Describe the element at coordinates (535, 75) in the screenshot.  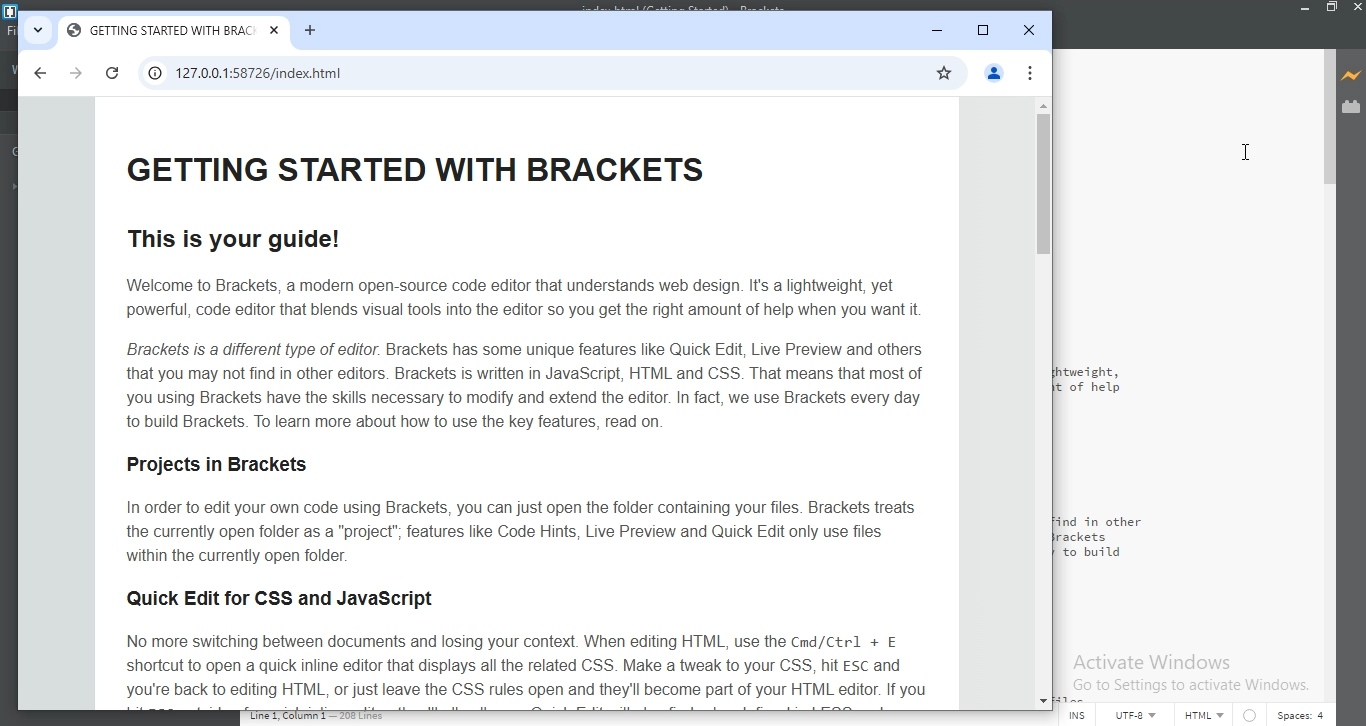
I see `search bar` at that location.